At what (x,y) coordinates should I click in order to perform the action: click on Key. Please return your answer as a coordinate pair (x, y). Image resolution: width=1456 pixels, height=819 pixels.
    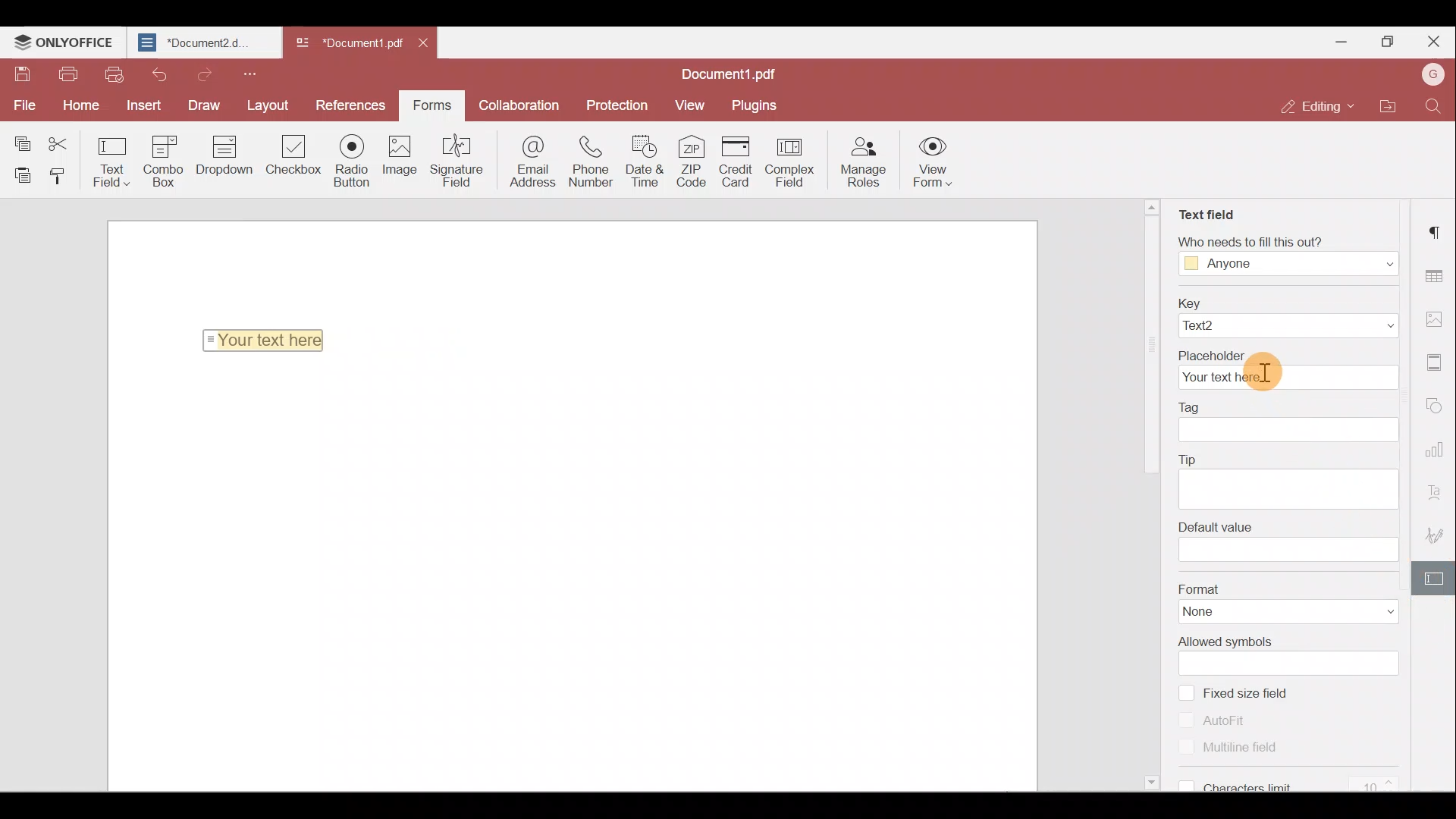
    Looking at the image, I should click on (1288, 302).